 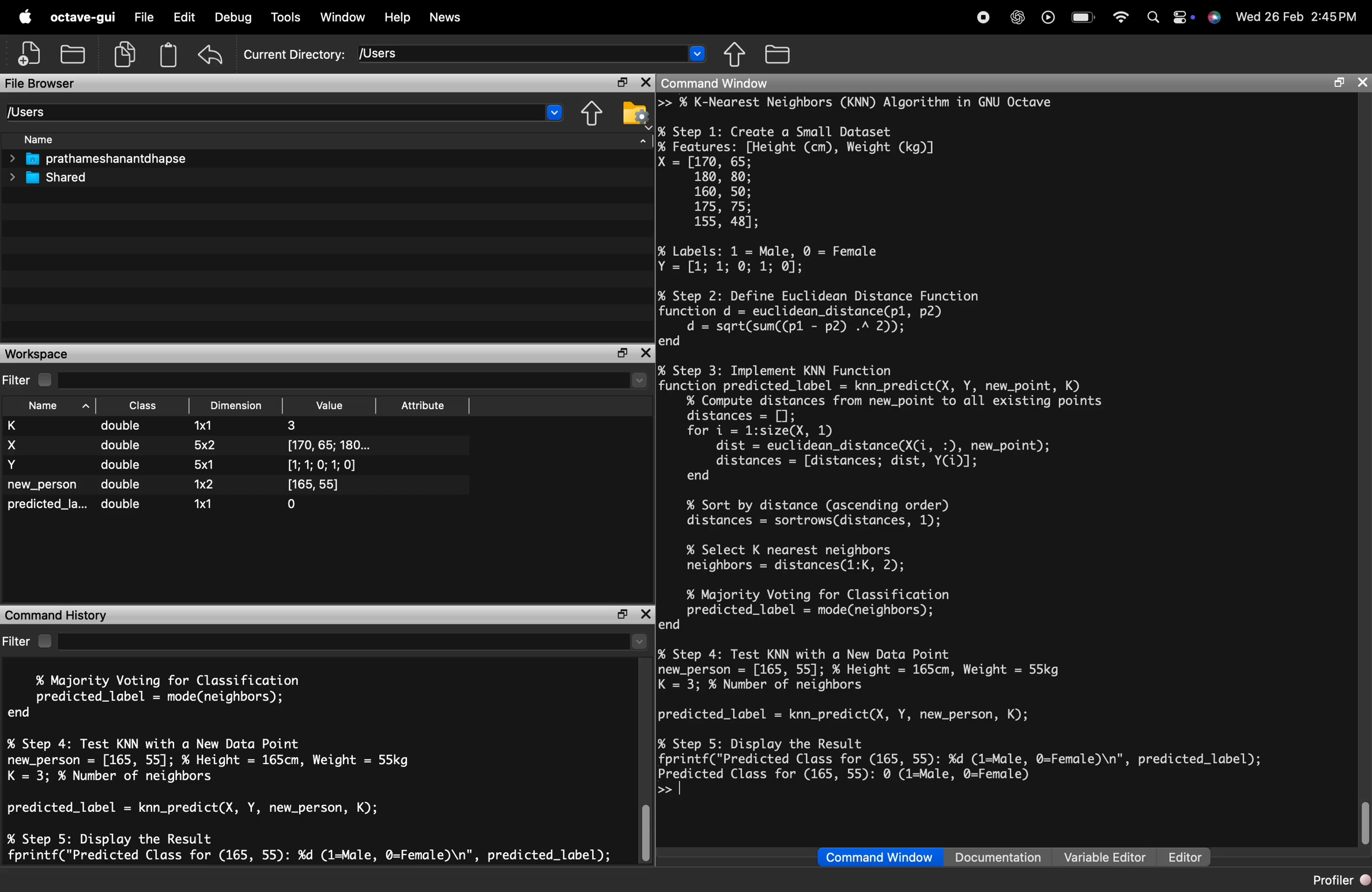 What do you see at coordinates (1333, 881) in the screenshot?
I see `Profiler` at bounding box center [1333, 881].